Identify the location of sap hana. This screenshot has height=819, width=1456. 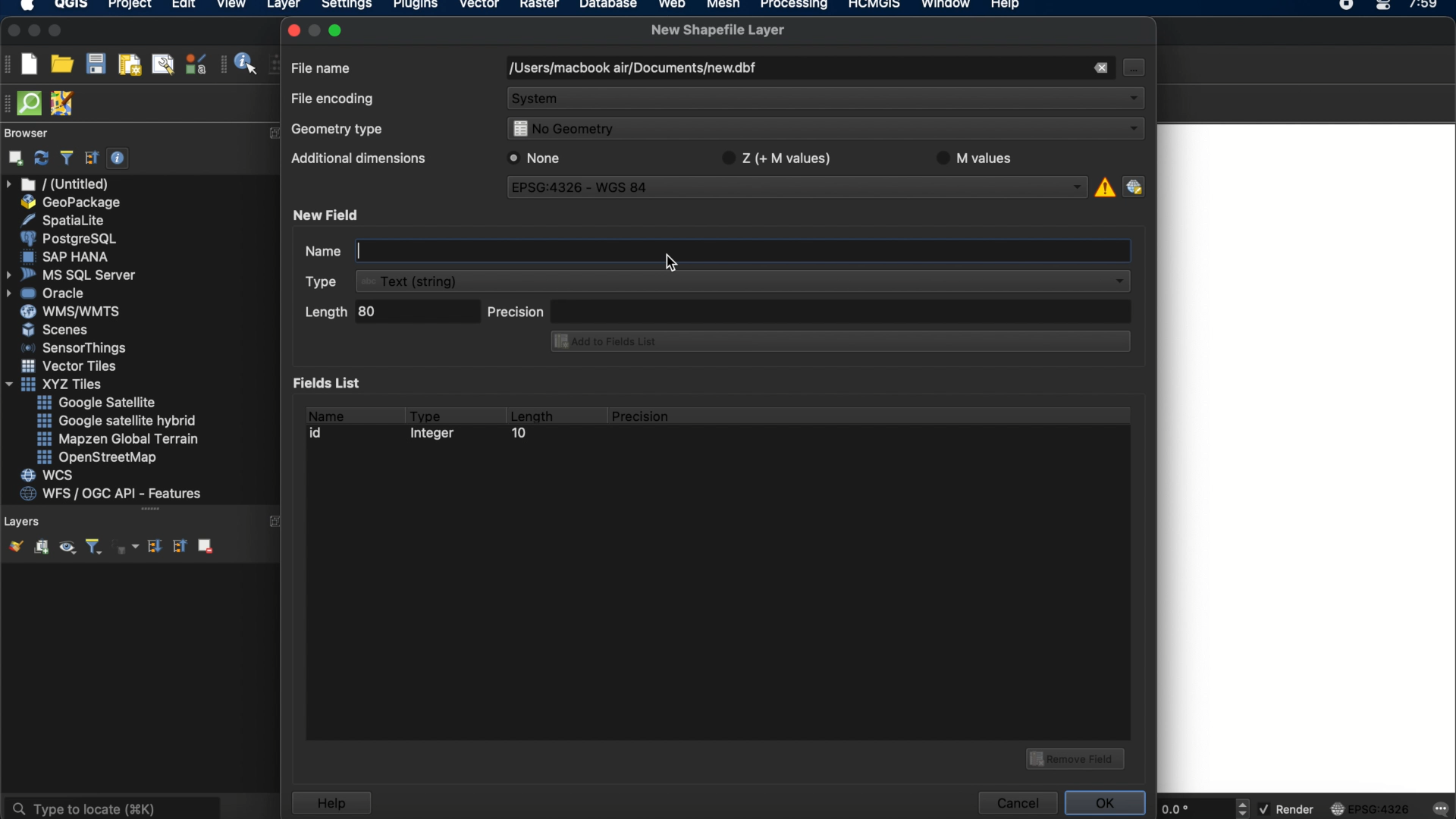
(67, 256).